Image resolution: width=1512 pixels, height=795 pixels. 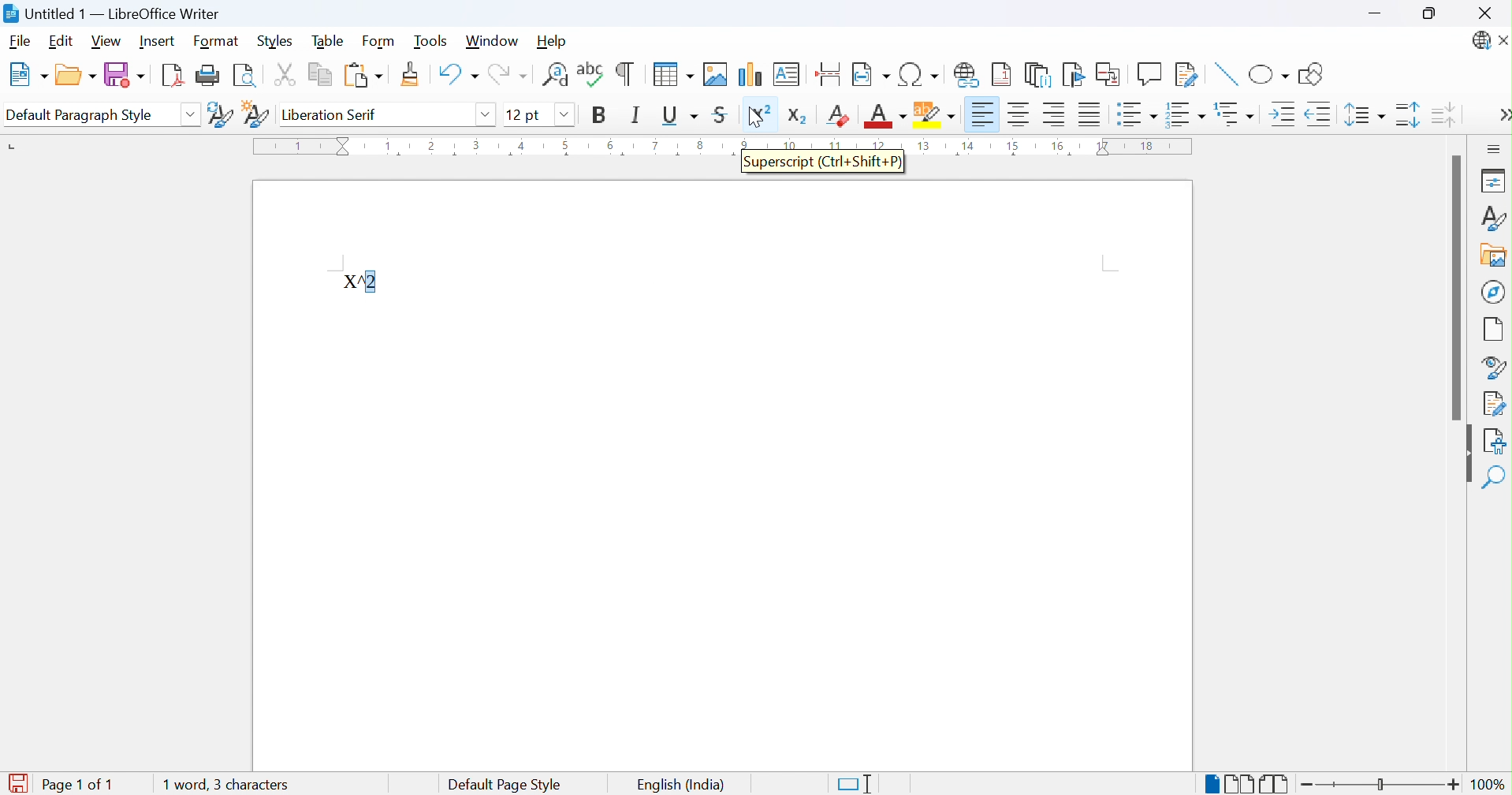 What do you see at coordinates (831, 70) in the screenshot?
I see `Insert page break` at bounding box center [831, 70].